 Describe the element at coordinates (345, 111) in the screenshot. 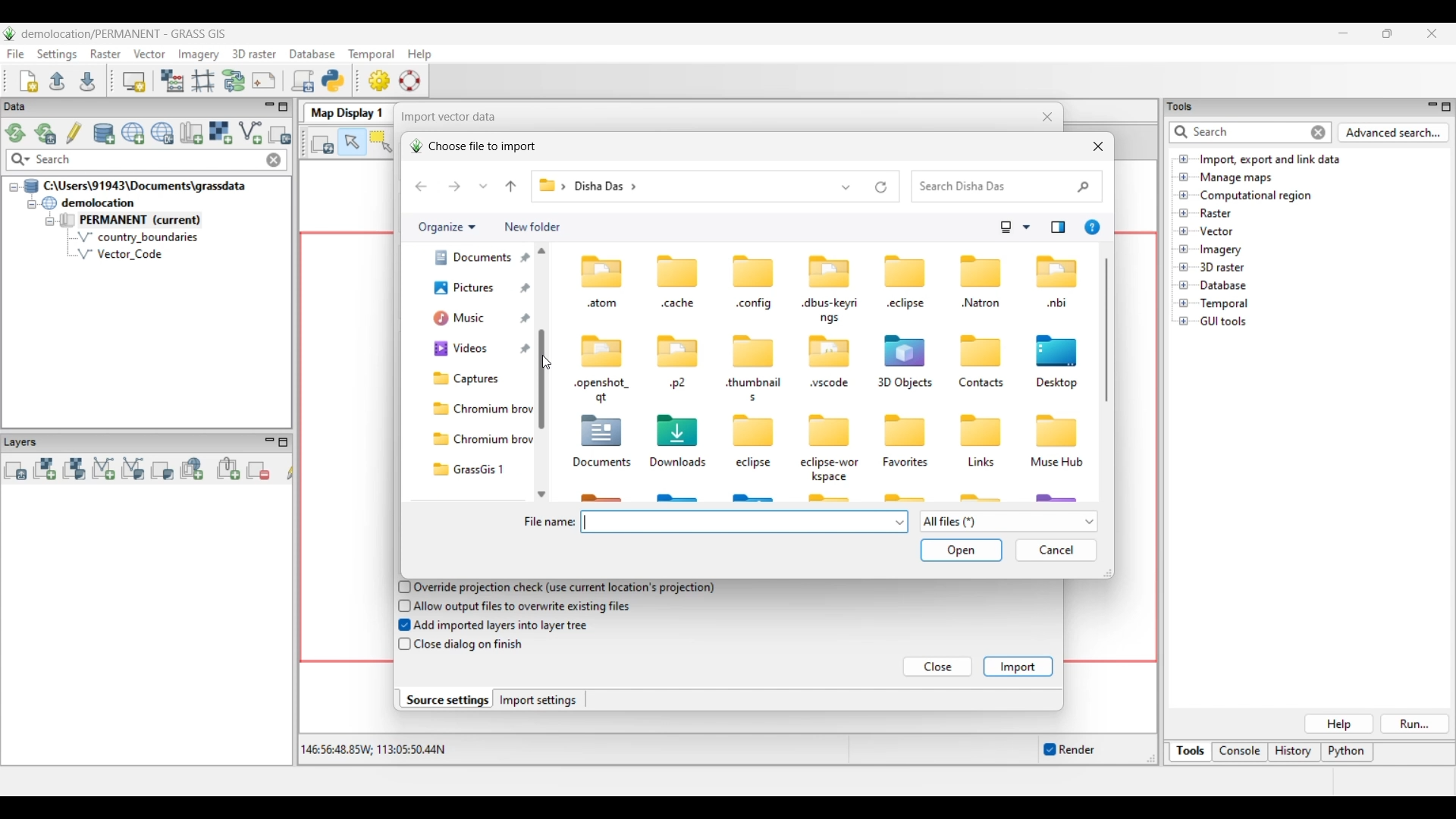

I see `Map Display 1 tab` at that location.